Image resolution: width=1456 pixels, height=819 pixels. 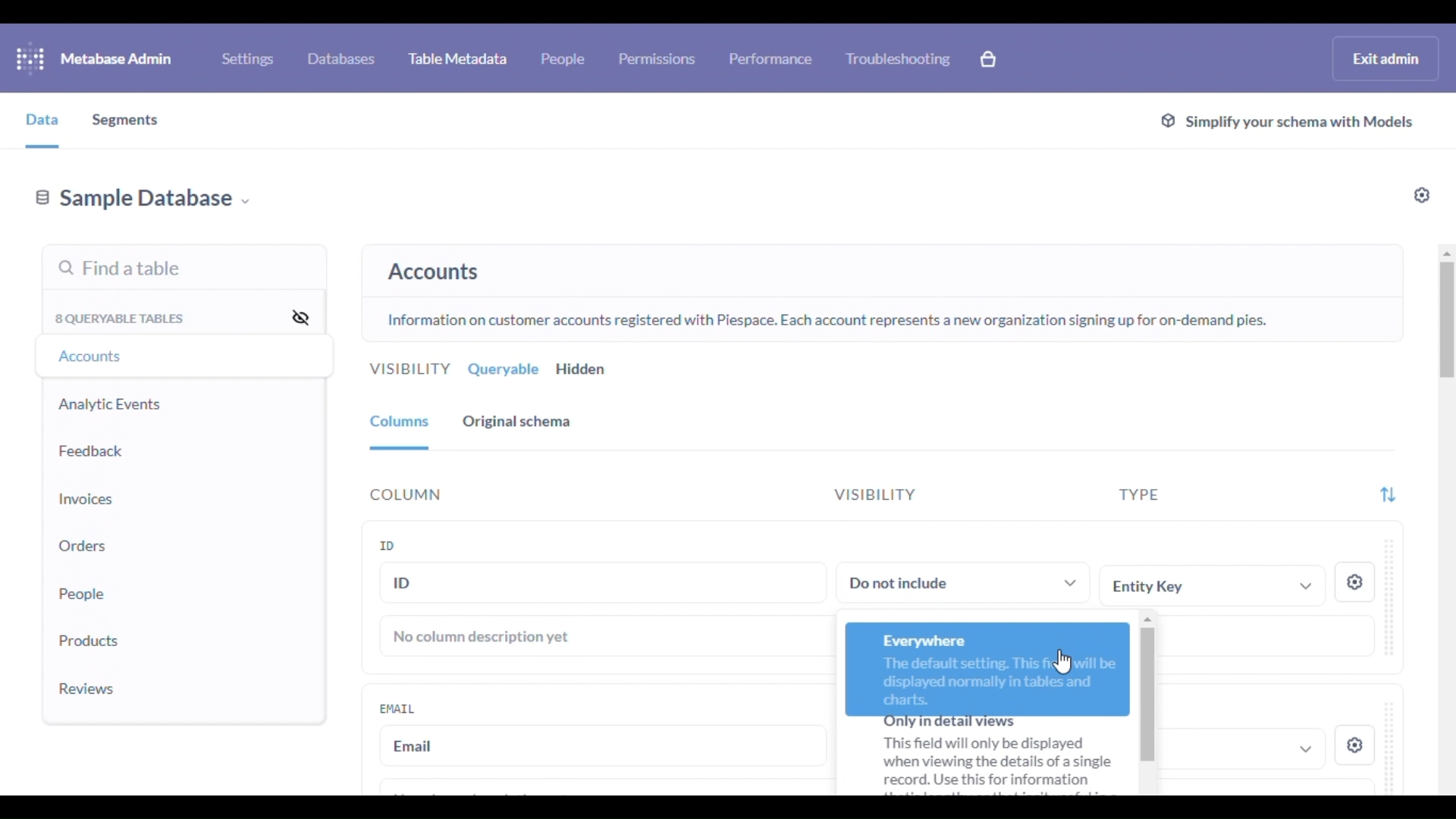 I want to click on type, so click(x=1139, y=495).